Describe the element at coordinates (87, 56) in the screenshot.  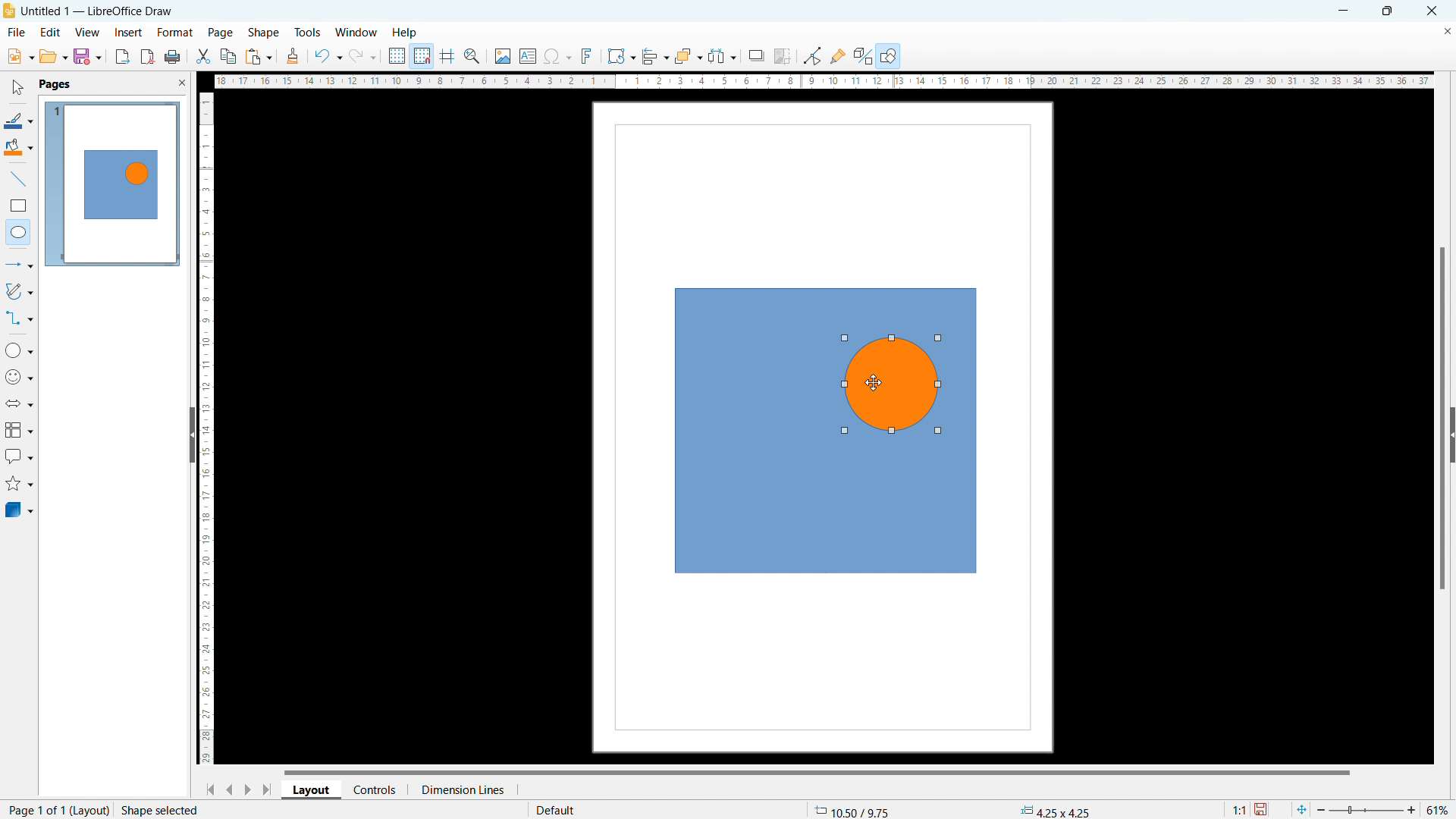
I see `save` at that location.